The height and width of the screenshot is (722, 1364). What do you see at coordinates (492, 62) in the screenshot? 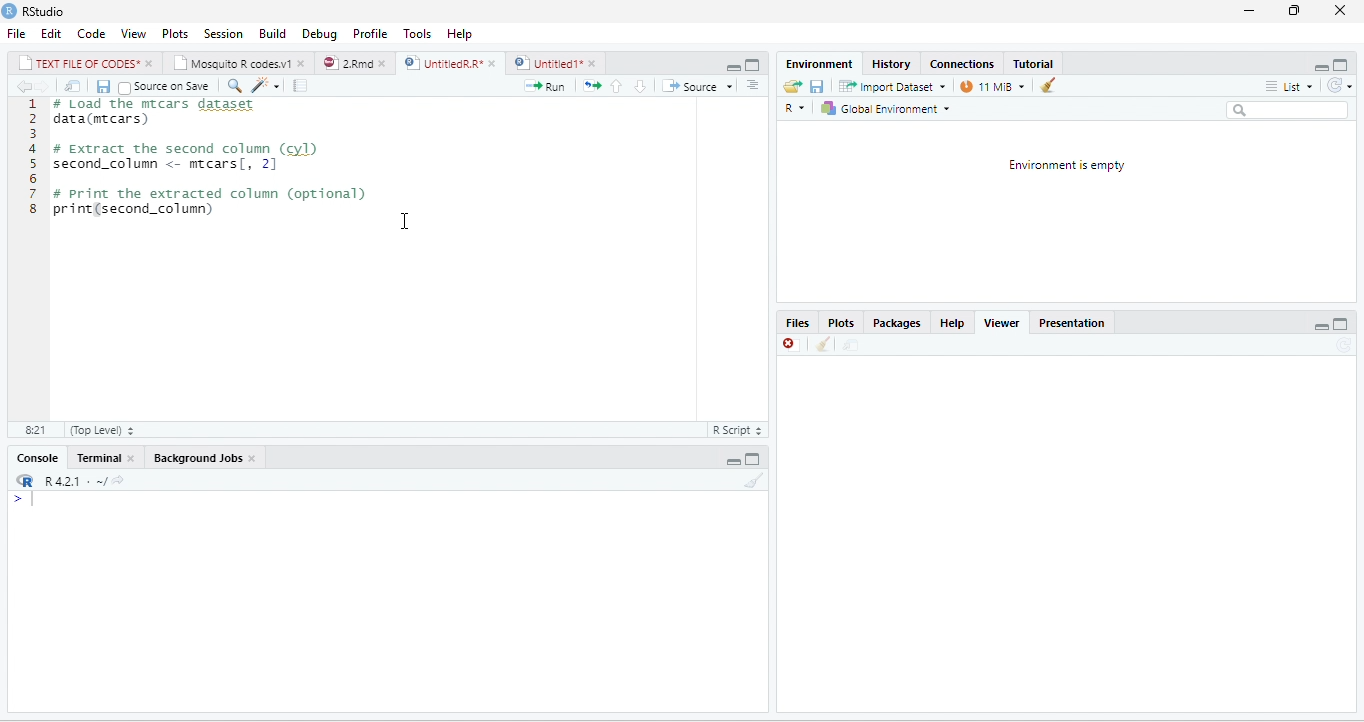
I see `close` at bounding box center [492, 62].